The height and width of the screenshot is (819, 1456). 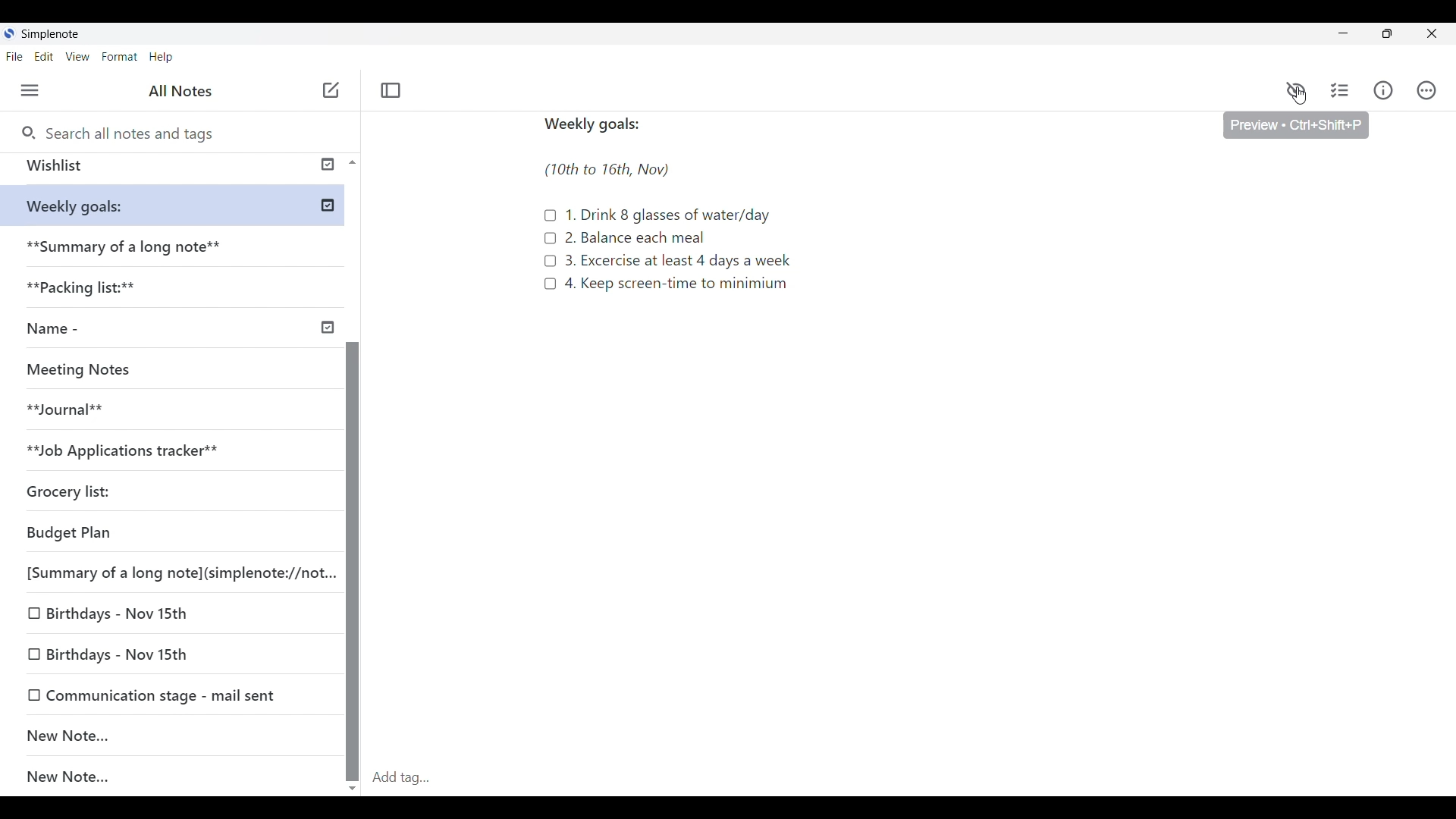 What do you see at coordinates (353, 783) in the screenshot?
I see `scroll down button` at bounding box center [353, 783].